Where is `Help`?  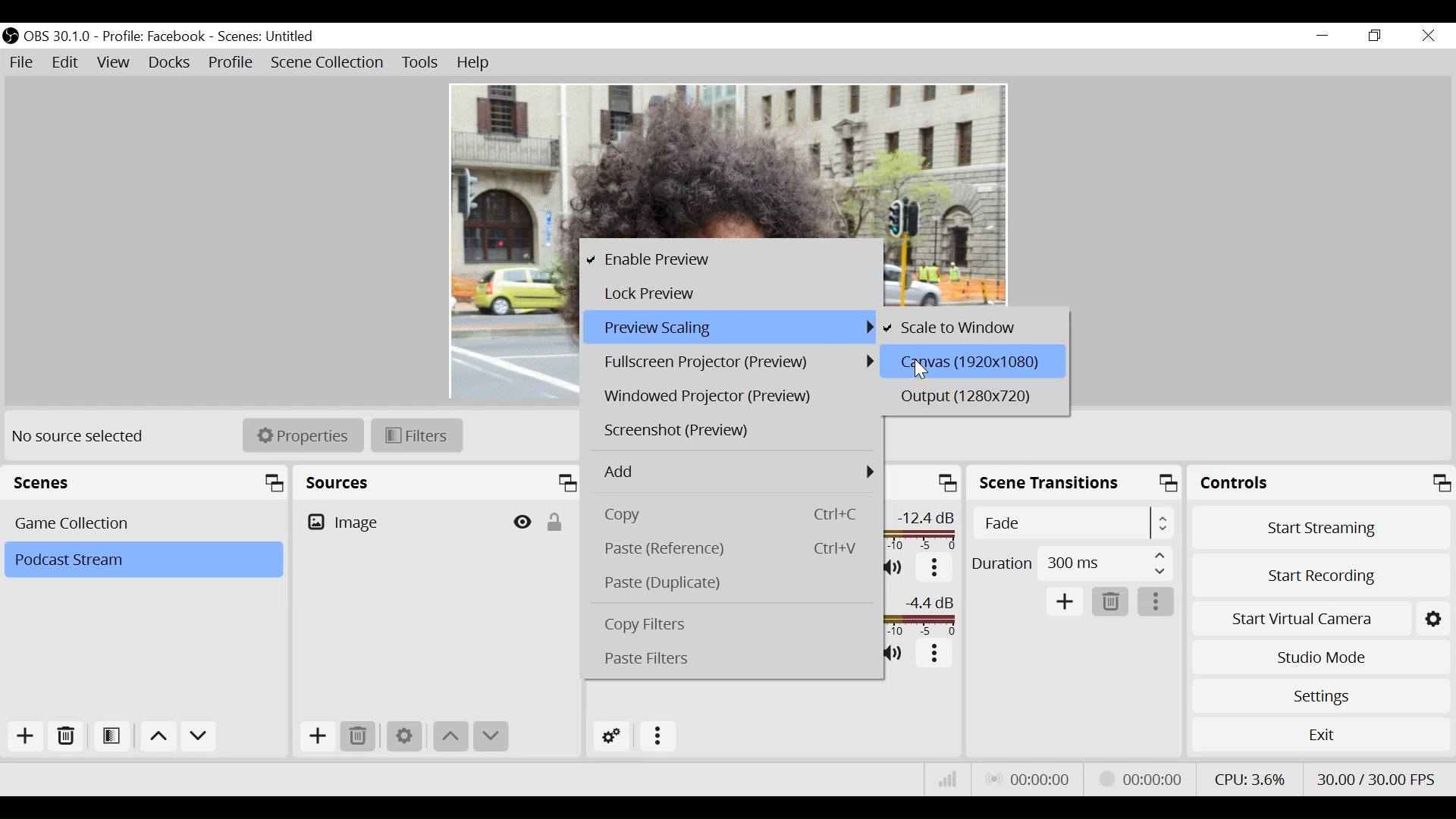
Help is located at coordinates (475, 64).